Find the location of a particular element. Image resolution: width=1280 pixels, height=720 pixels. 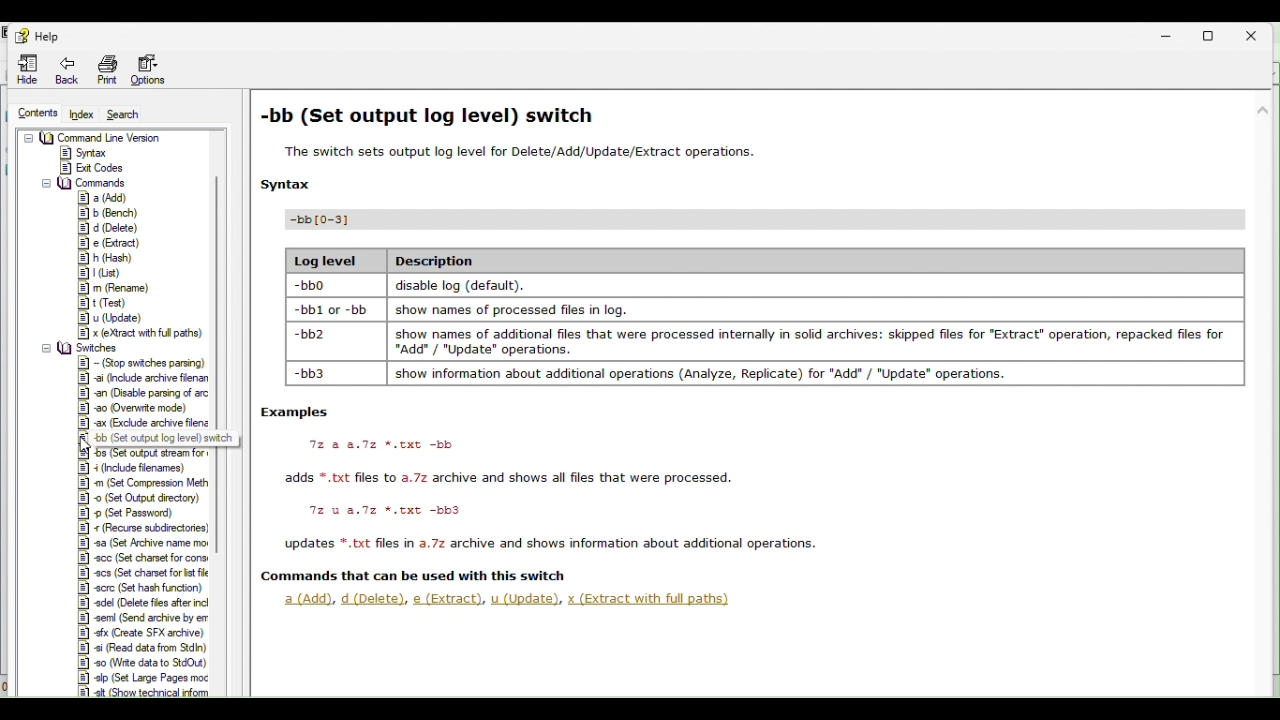

|] scc (Set charset for cons is located at coordinates (141, 558).